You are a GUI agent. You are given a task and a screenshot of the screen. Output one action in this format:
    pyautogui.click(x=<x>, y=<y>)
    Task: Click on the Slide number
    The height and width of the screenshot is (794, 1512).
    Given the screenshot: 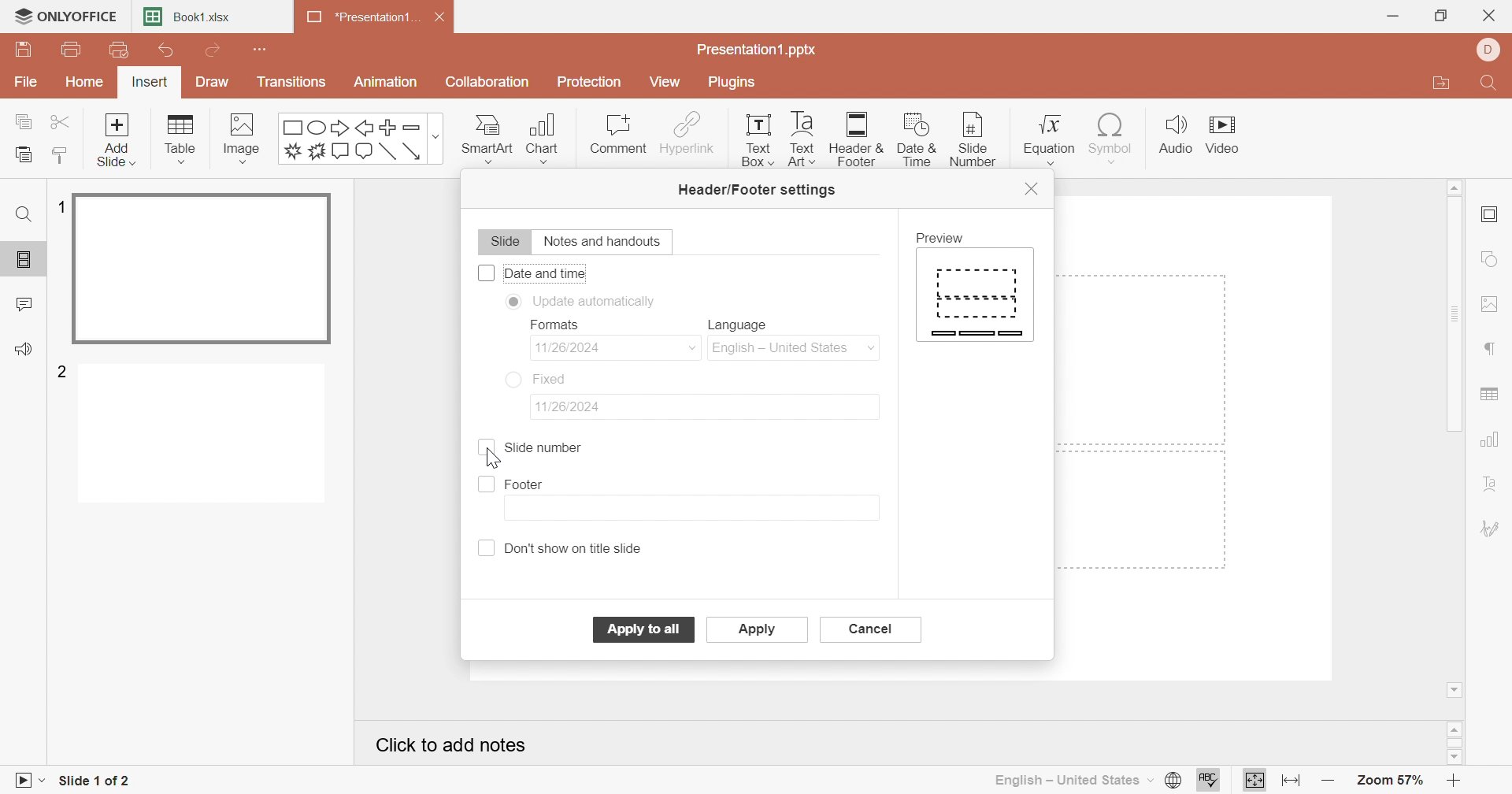 What is the action you would take?
    pyautogui.click(x=542, y=449)
    